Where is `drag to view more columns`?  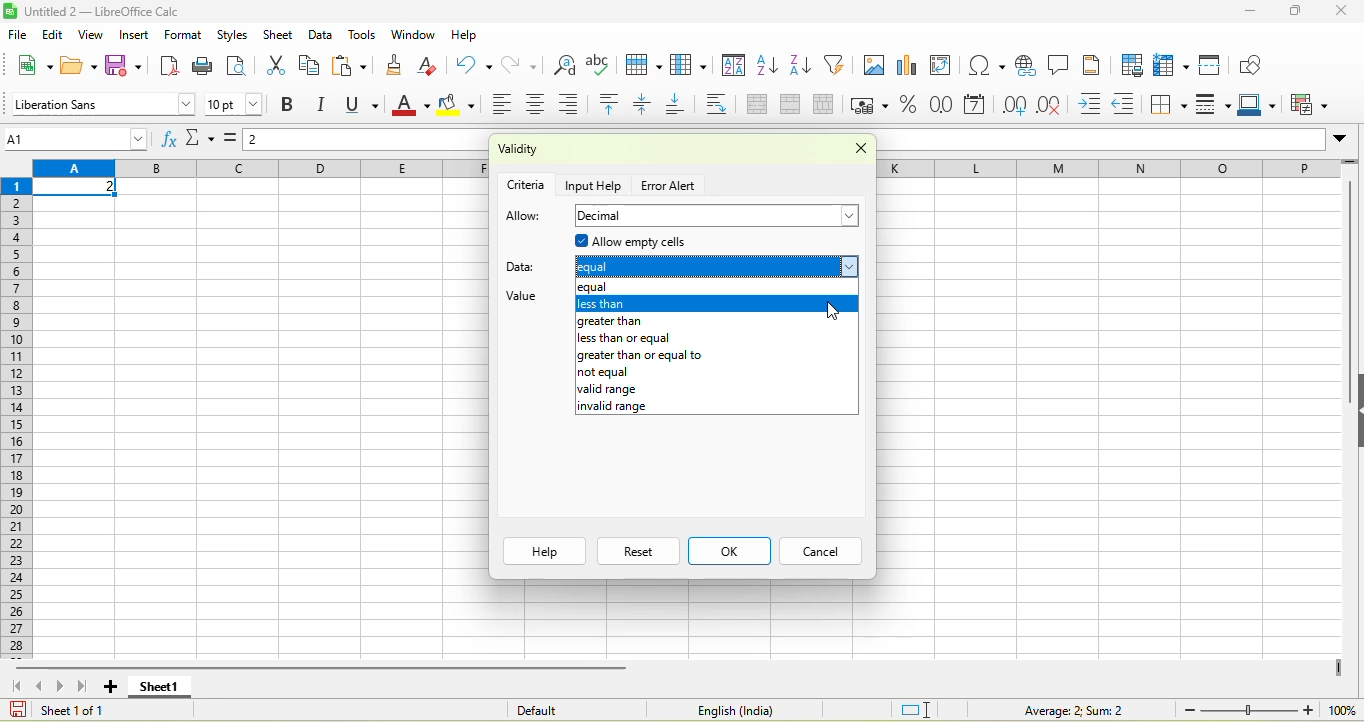 drag to view more columns is located at coordinates (1339, 668).